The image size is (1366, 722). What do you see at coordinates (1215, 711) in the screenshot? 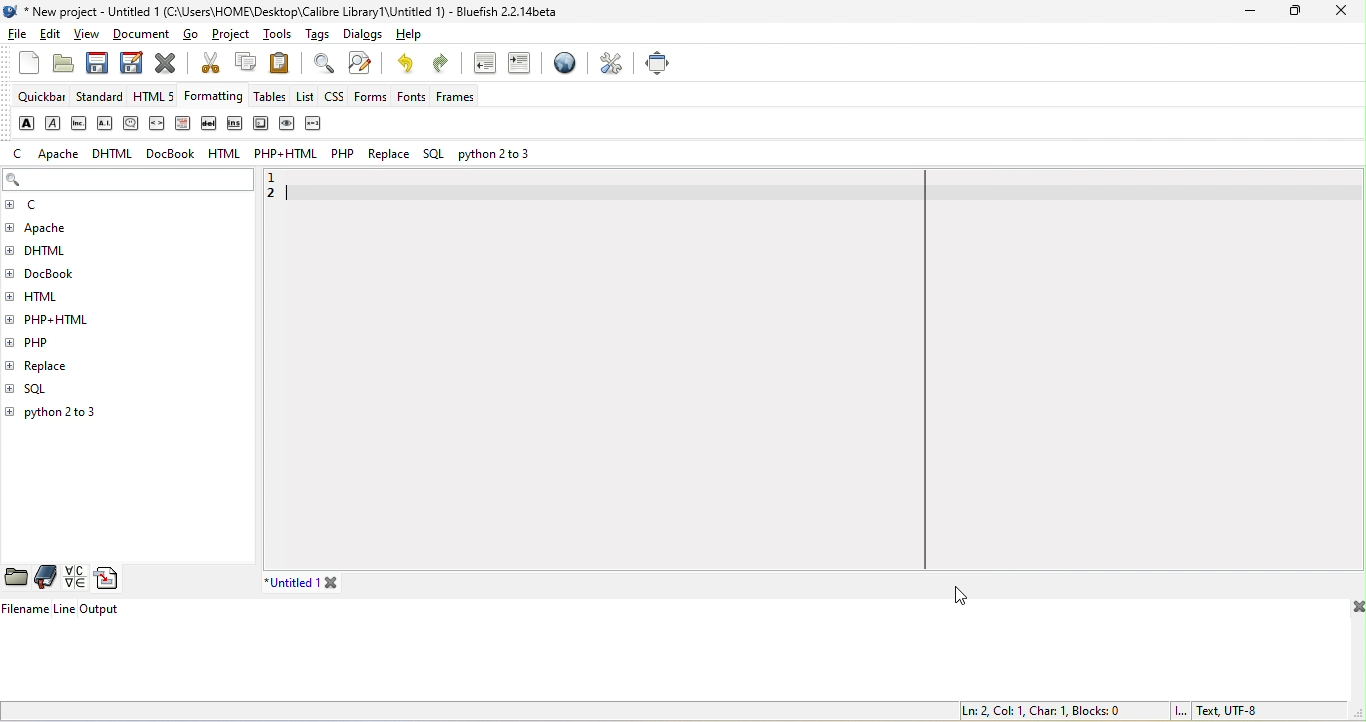
I see `text, utf 8` at bounding box center [1215, 711].